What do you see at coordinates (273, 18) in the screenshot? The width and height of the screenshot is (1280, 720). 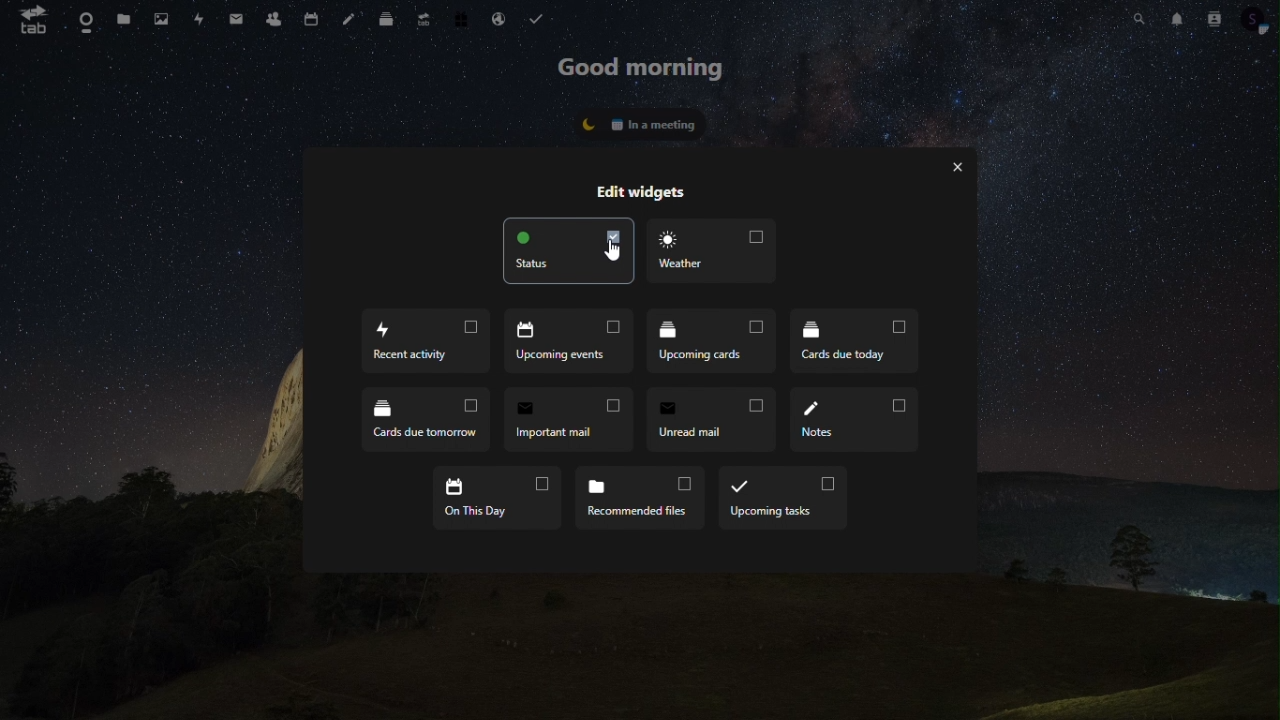 I see `contacts` at bounding box center [273, 18].